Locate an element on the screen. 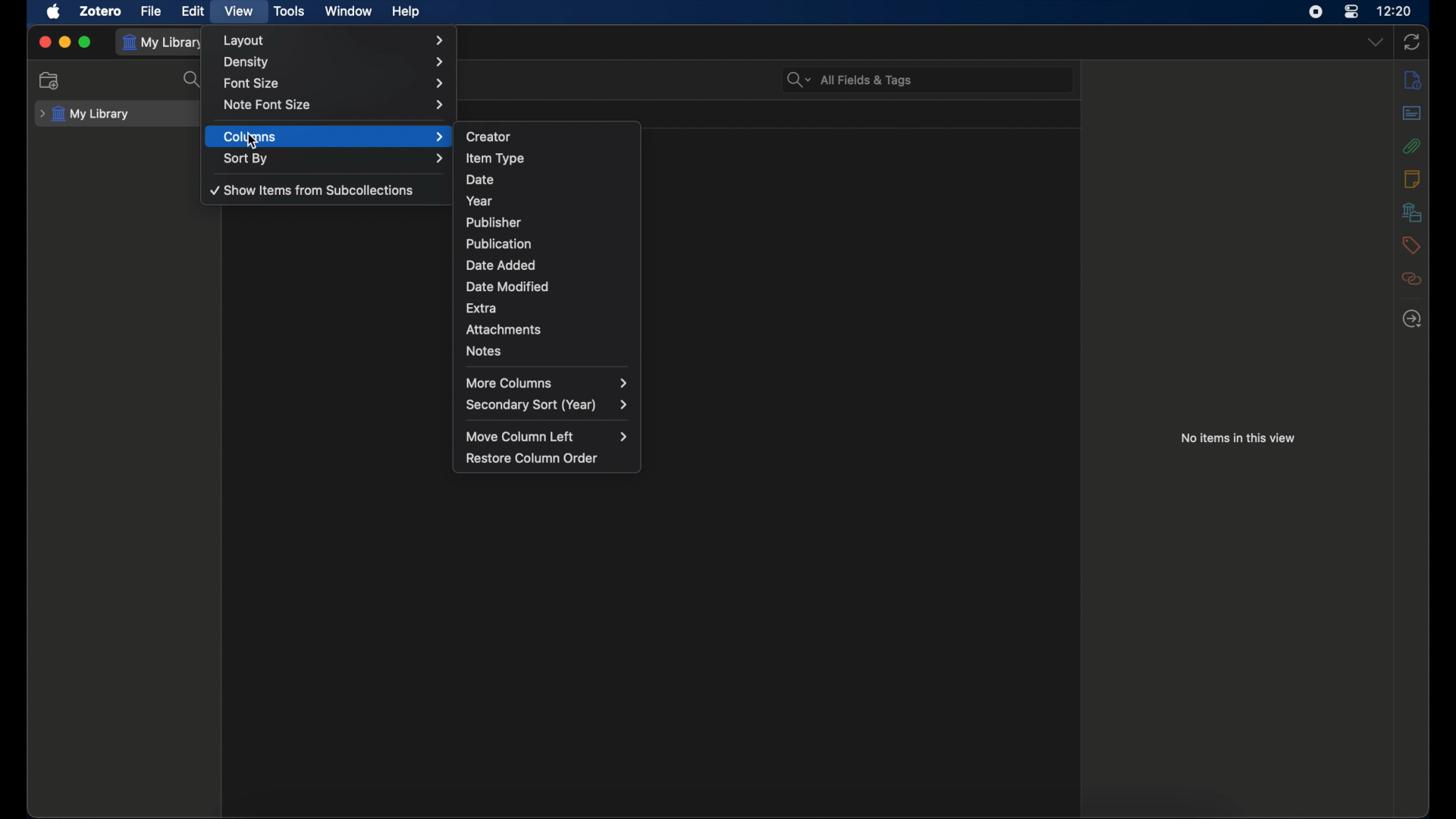  maximize is located at coordinates (86, 42).